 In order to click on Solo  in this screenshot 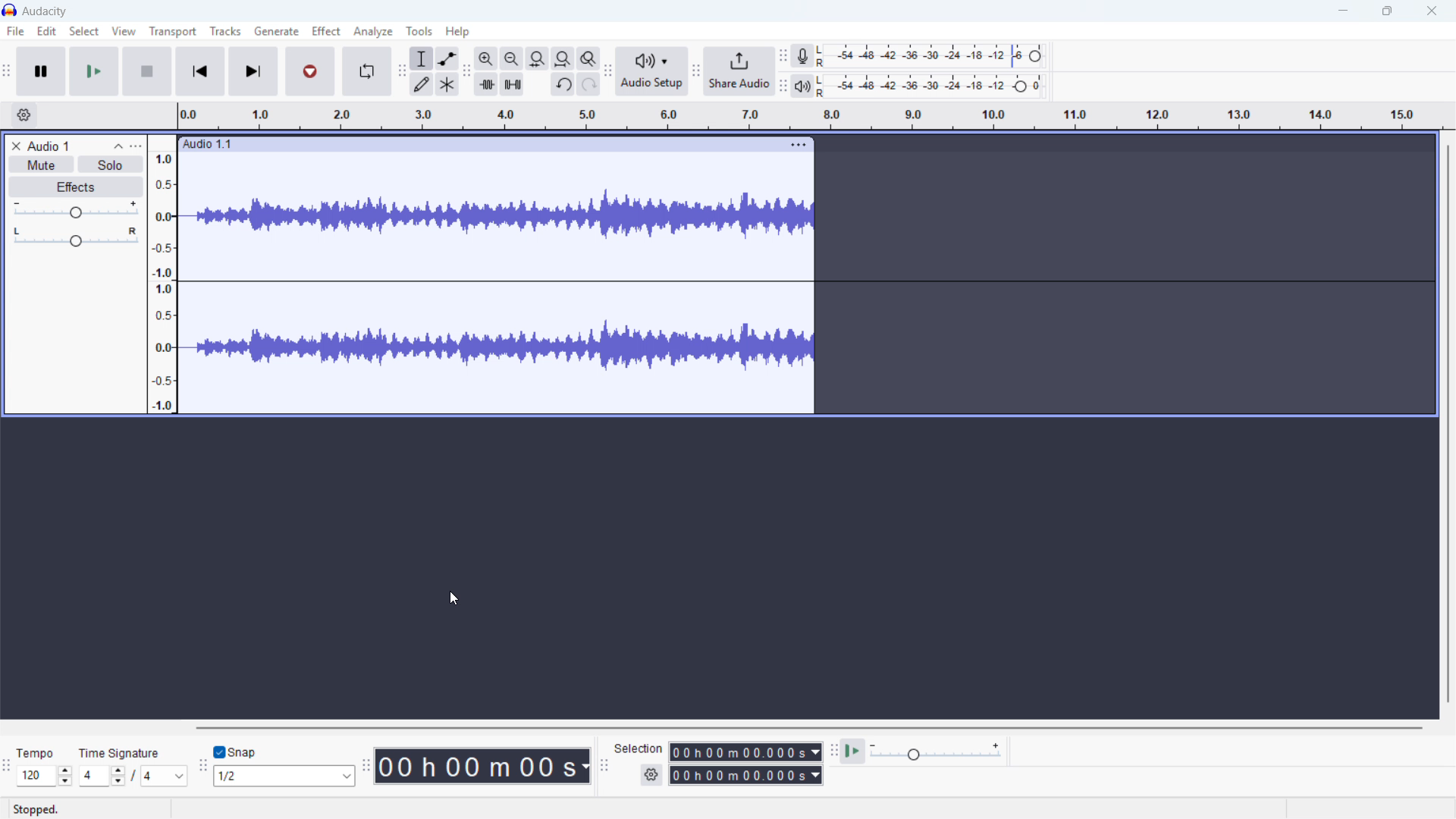, I will do `click(109, 165)`.